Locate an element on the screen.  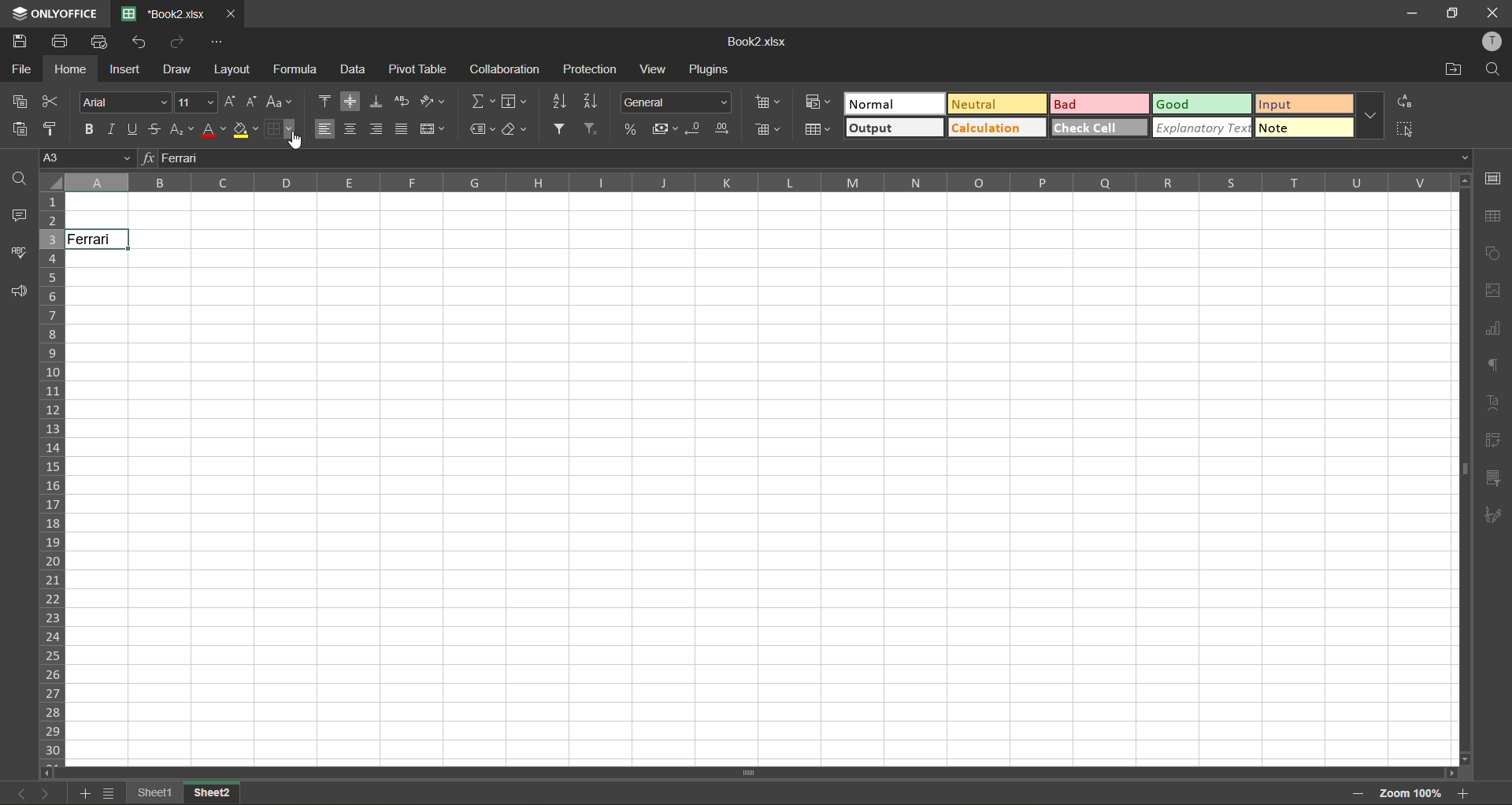
Scrollbar  is located at coordinates (753, 773).